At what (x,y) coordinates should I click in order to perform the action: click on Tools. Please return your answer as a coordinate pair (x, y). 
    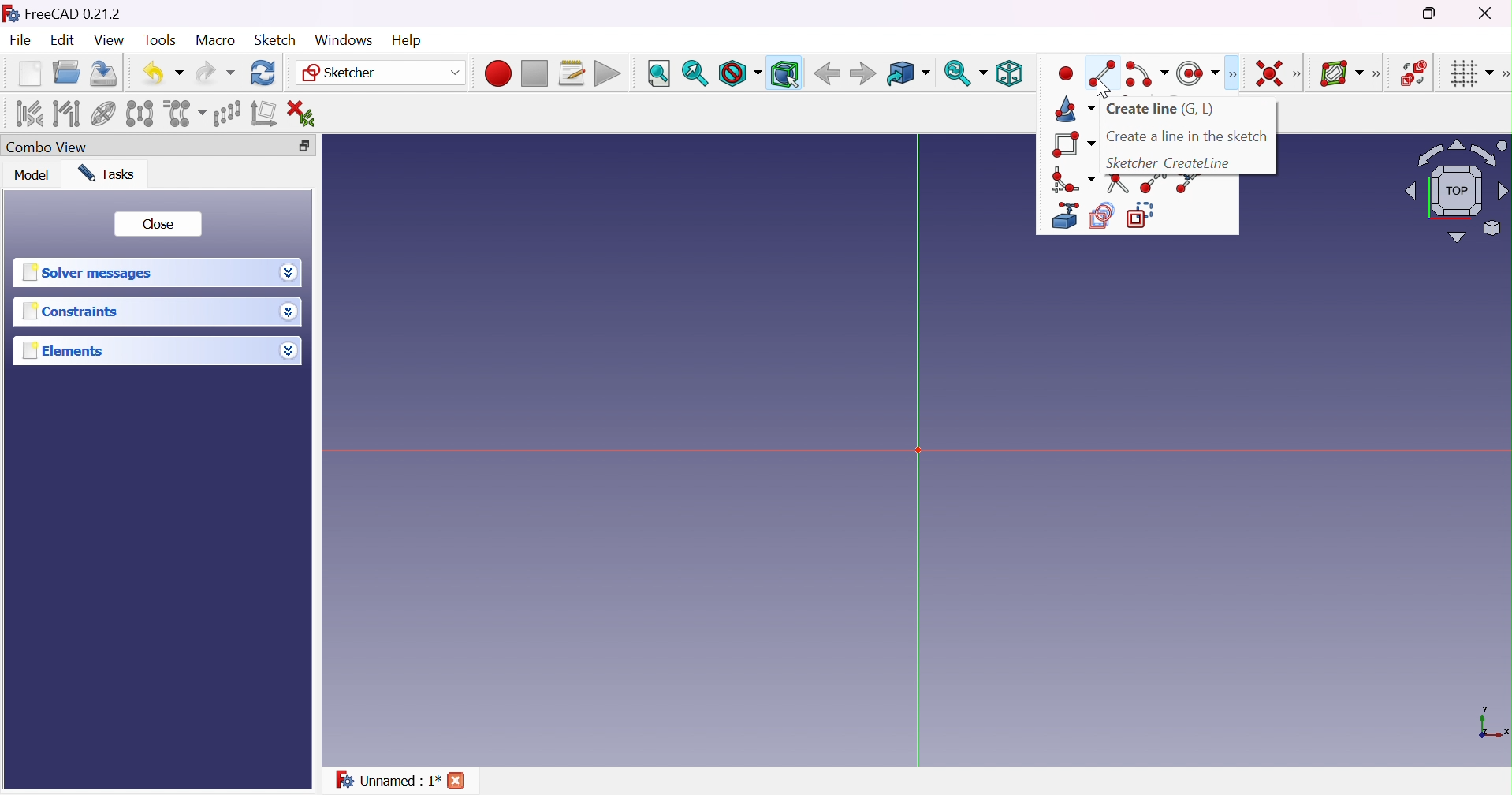
    Looking at the image, I should click on (159, 41).